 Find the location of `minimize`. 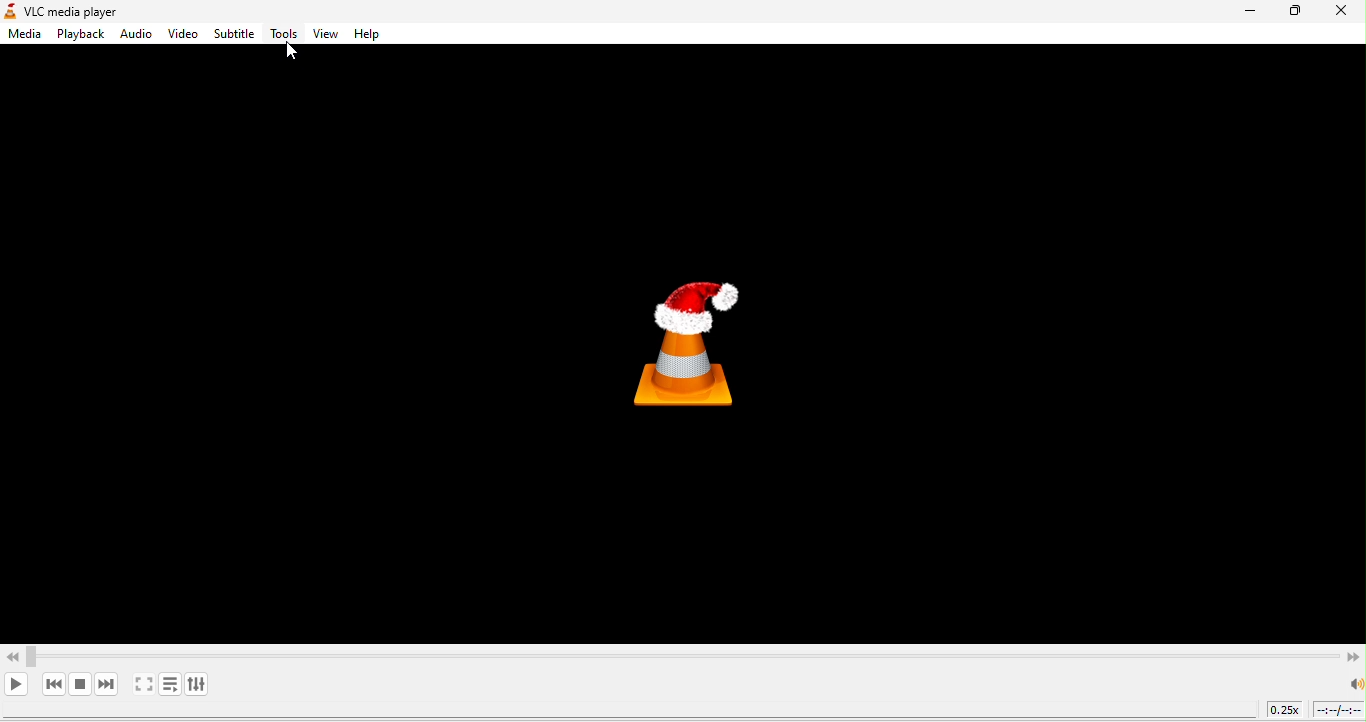

minimize is located at coordinates (1248, 12).